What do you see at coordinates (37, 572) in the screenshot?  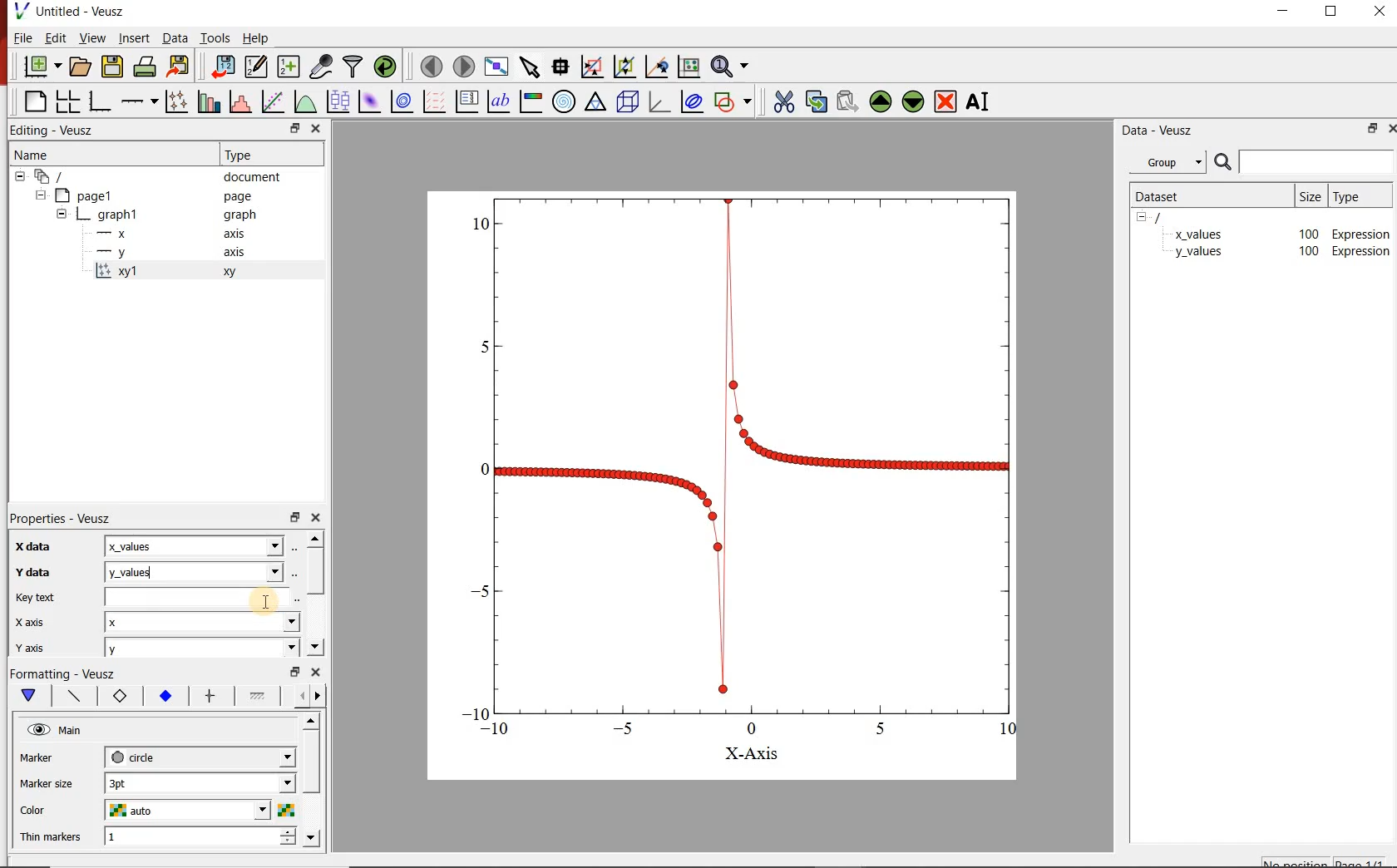 I see `Y data` at bounding box center [37, 572].